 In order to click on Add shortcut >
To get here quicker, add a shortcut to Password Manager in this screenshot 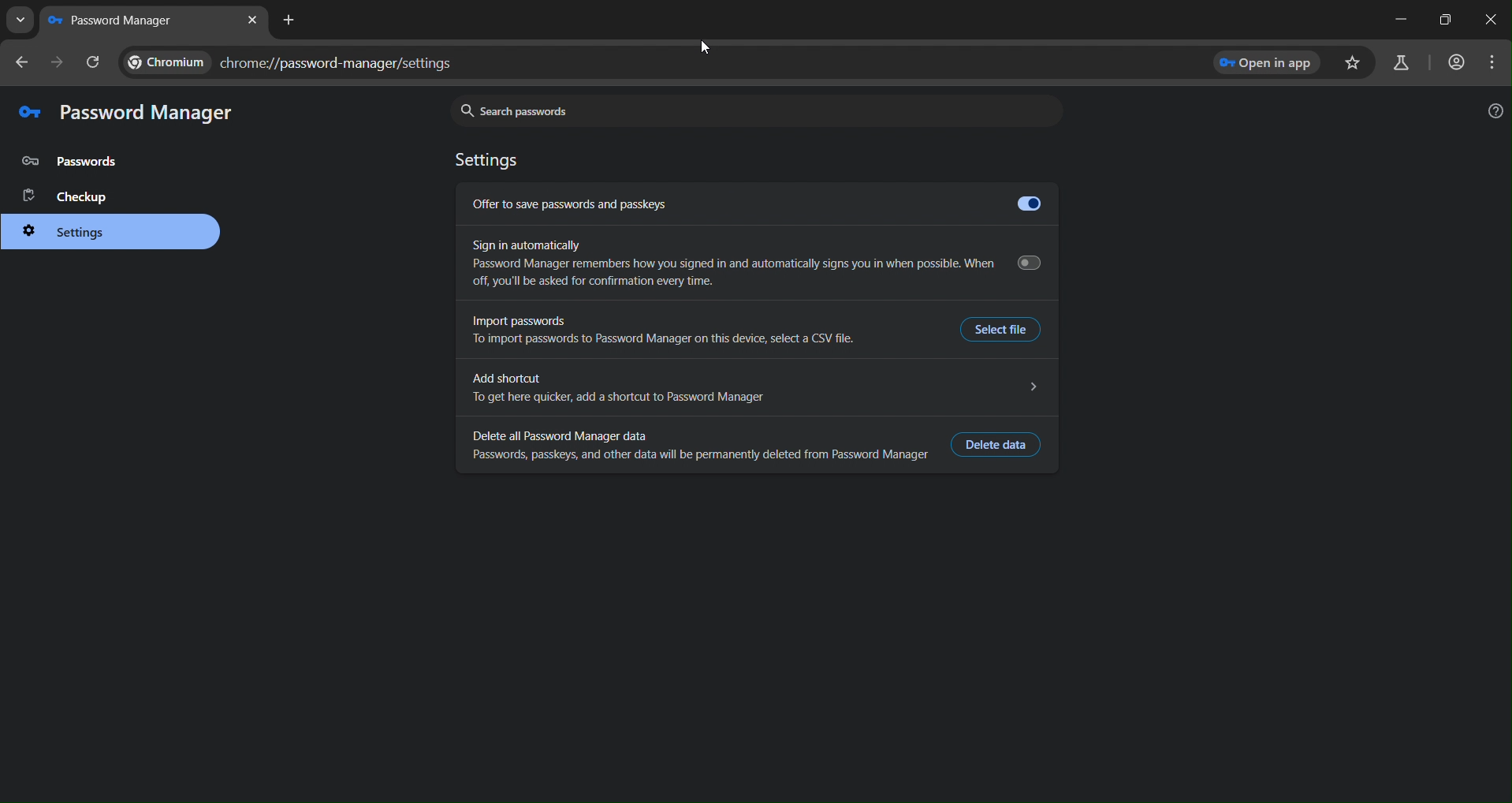, I will do `click(758, 389)`.